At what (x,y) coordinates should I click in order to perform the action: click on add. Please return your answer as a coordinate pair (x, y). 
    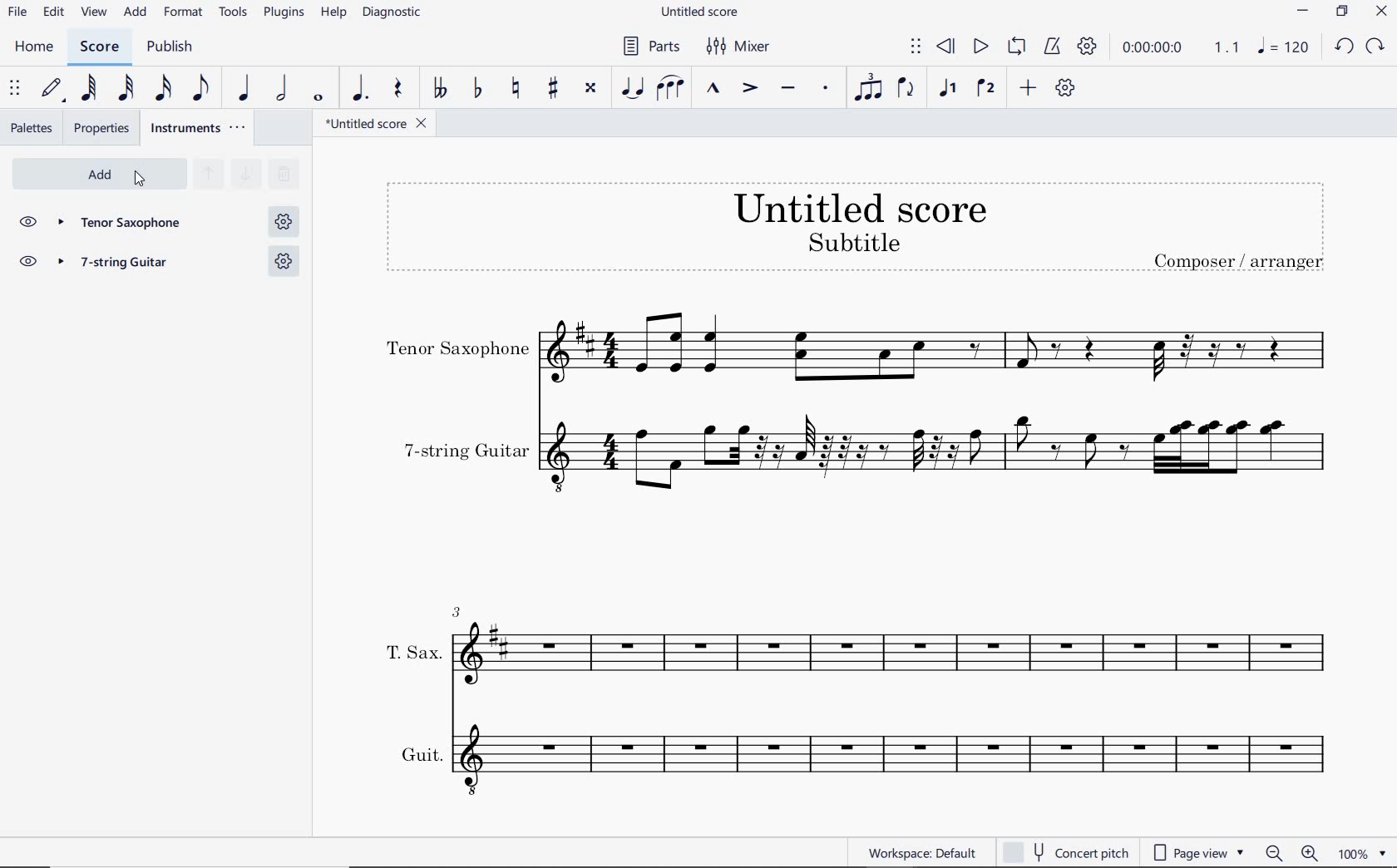
    Looking at the image, I should click on (140, 180).